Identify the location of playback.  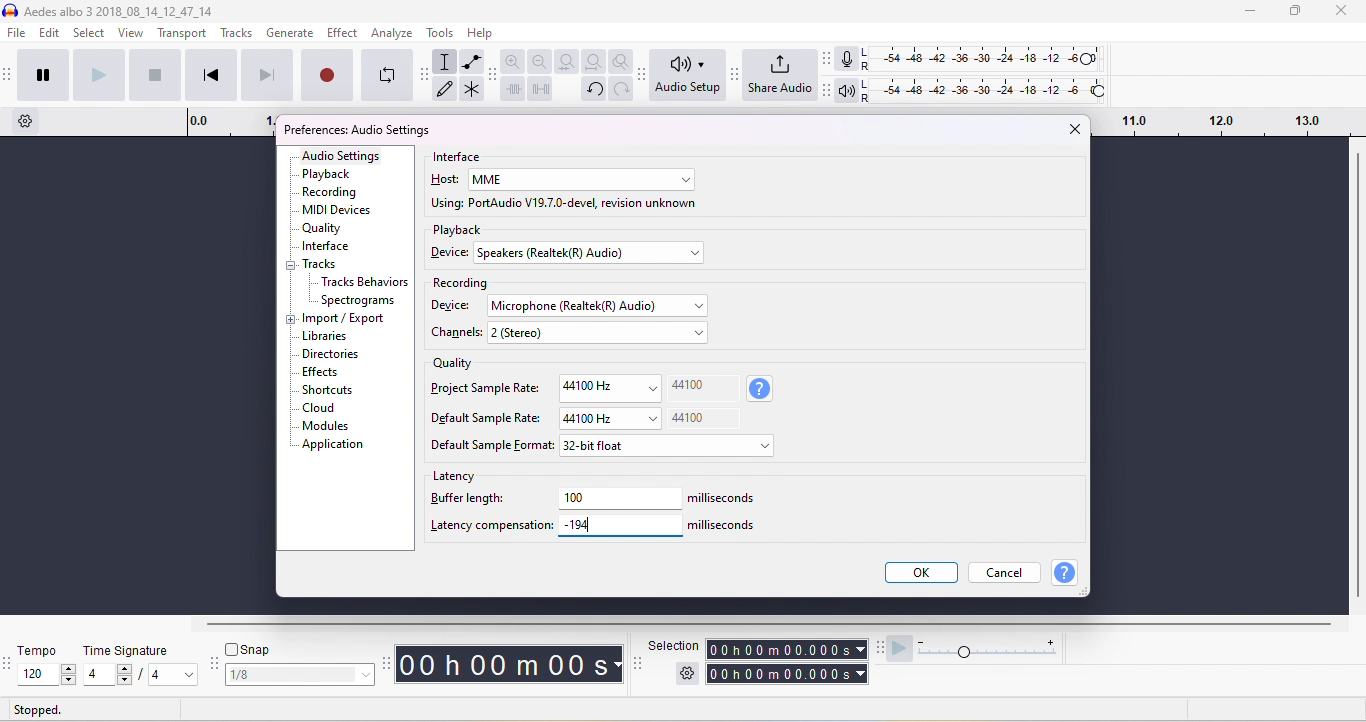
(458, 230).